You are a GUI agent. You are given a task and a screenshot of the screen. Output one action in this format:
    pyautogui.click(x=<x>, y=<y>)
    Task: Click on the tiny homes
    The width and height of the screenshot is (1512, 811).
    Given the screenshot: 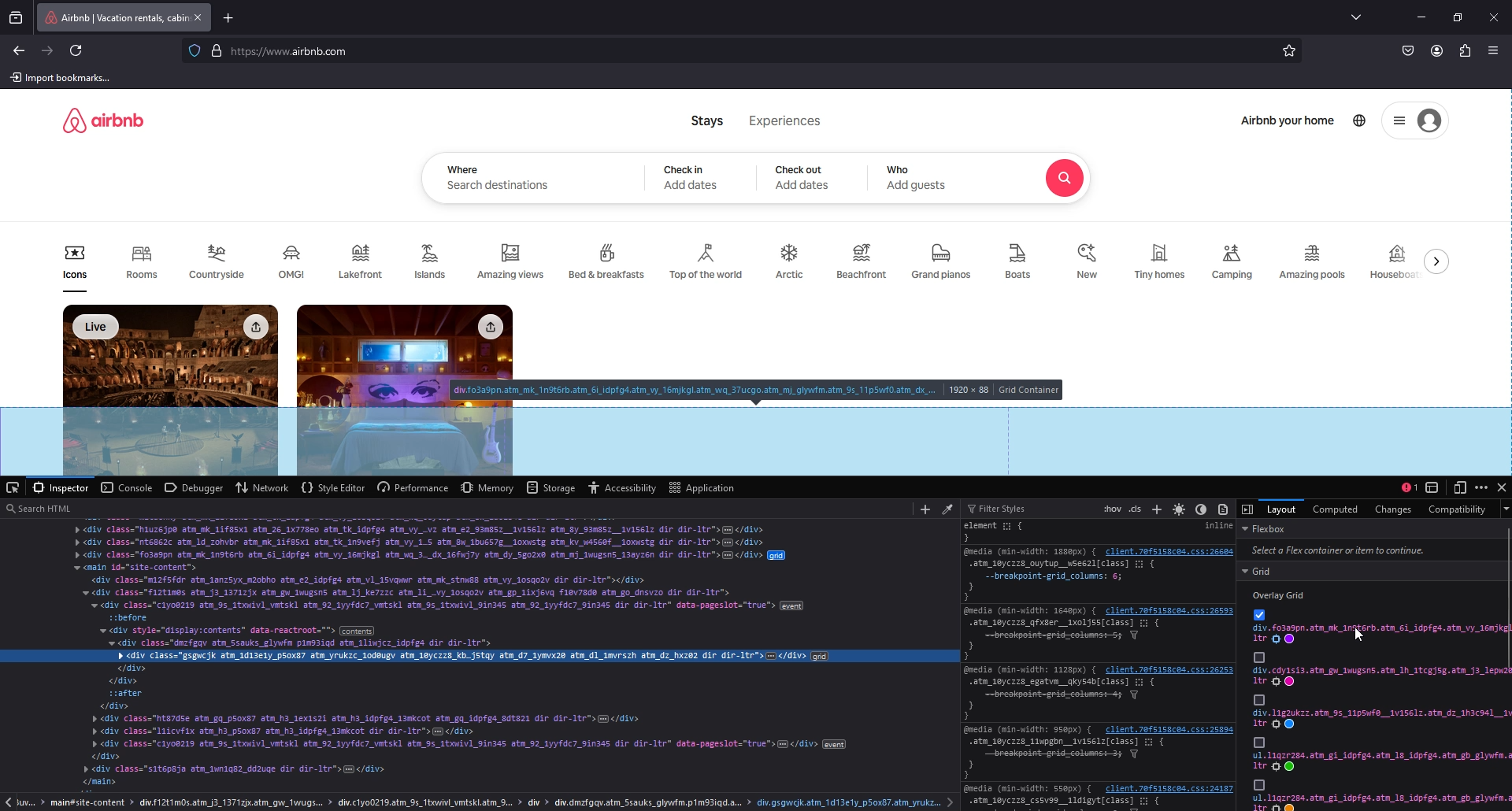 What is the action you would take?
    pyautogui.click(x=1161, y=262)
    